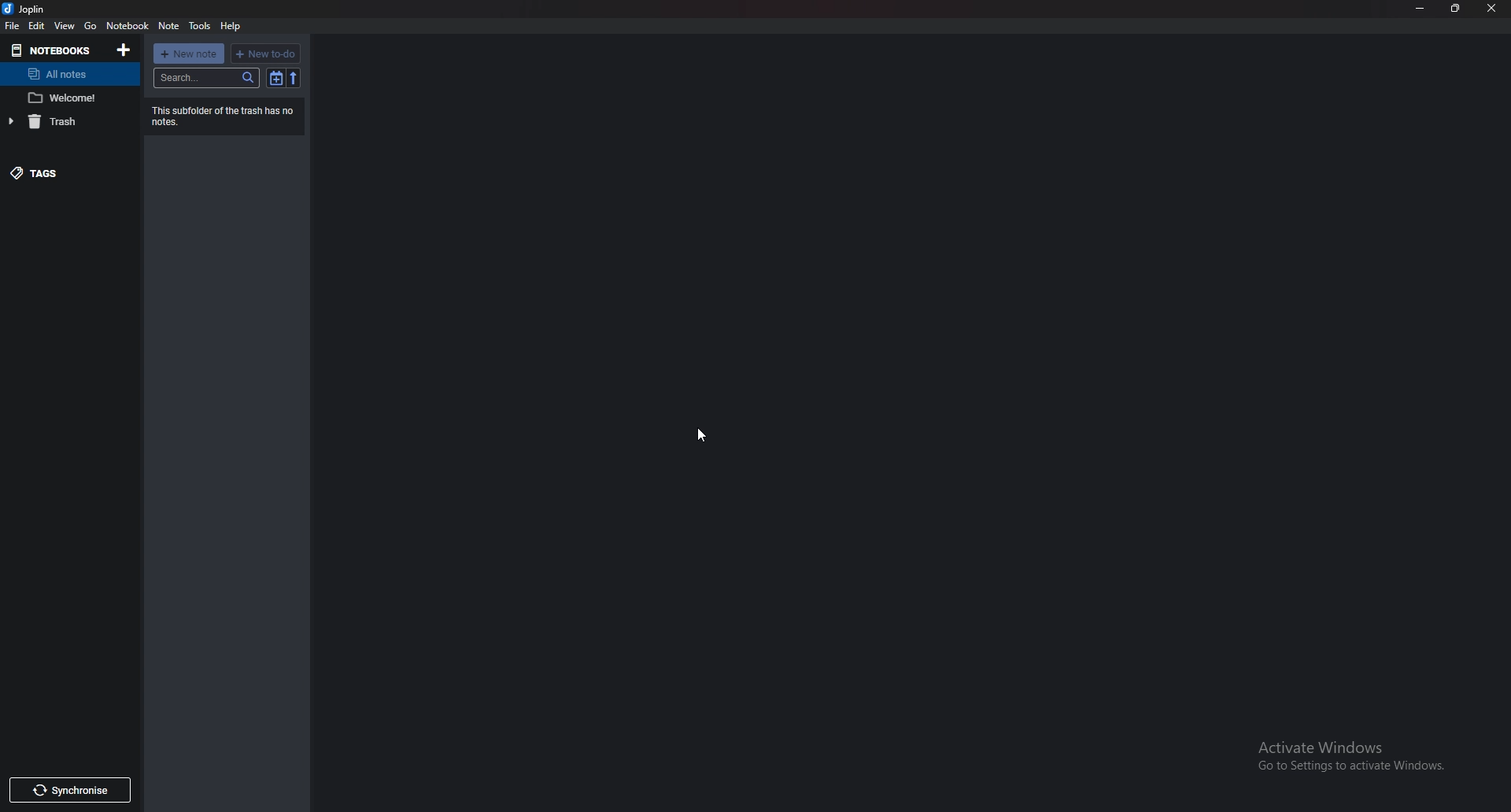 Image resolution: width=1511 pixels, height=812 pixels. What do you see at coordinates (1353, 758) in the screenshot?
I see `Activate Windows Go to Settings to activate Windows` at bounding box center [1353, 758].